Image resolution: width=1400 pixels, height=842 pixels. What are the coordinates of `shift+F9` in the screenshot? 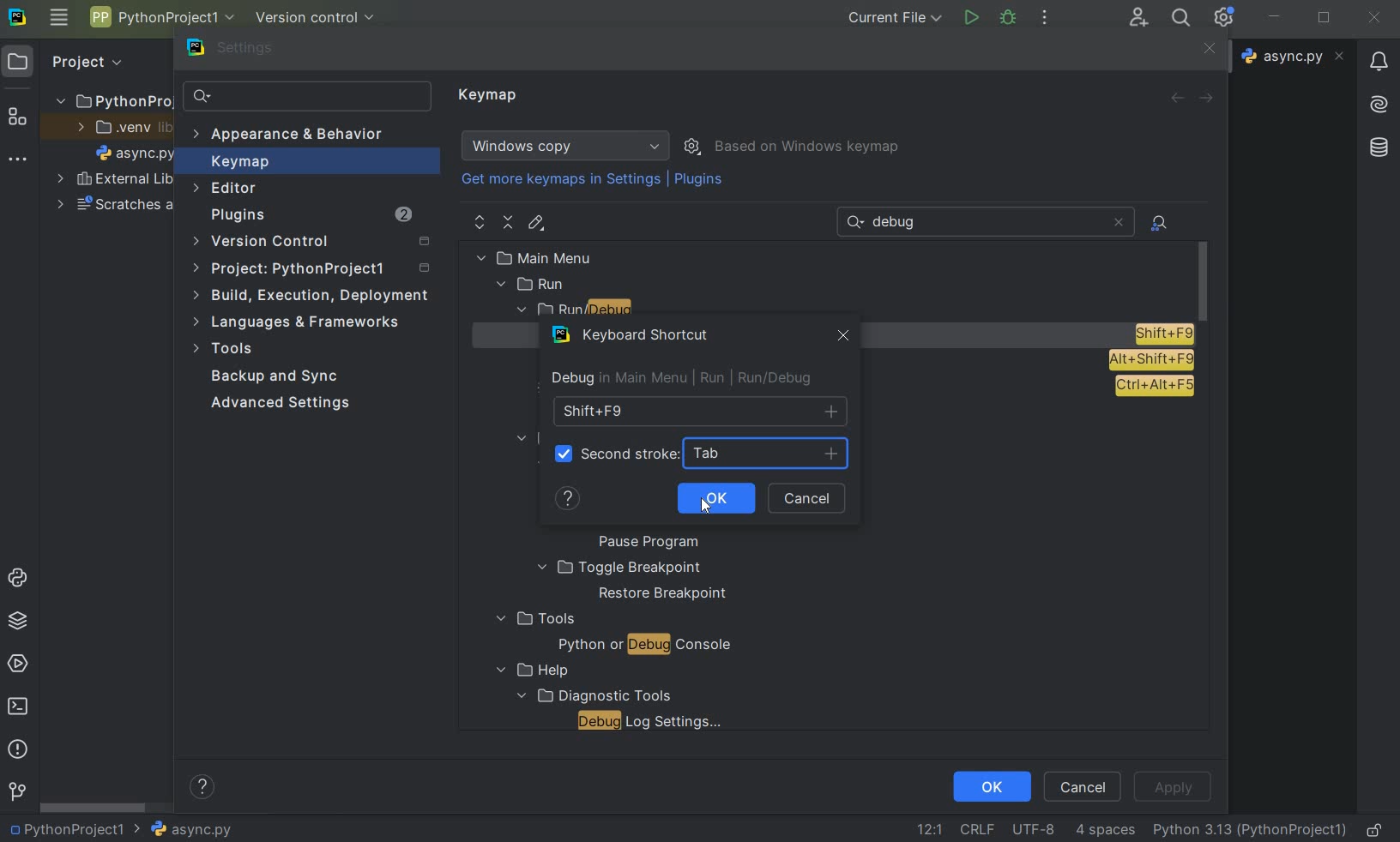 It's located at (699, 412).